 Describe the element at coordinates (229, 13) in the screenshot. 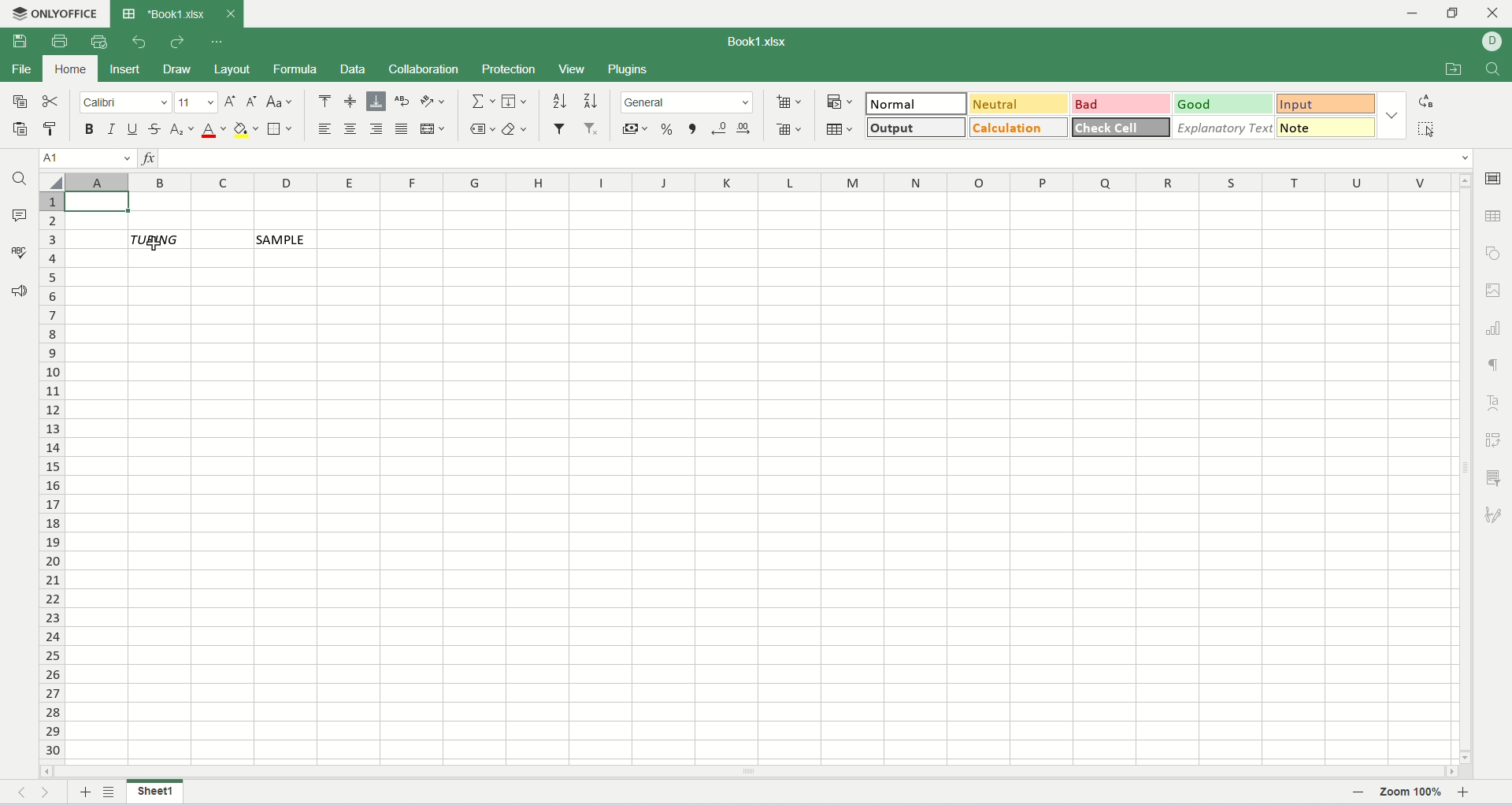

I see `close` at that location.